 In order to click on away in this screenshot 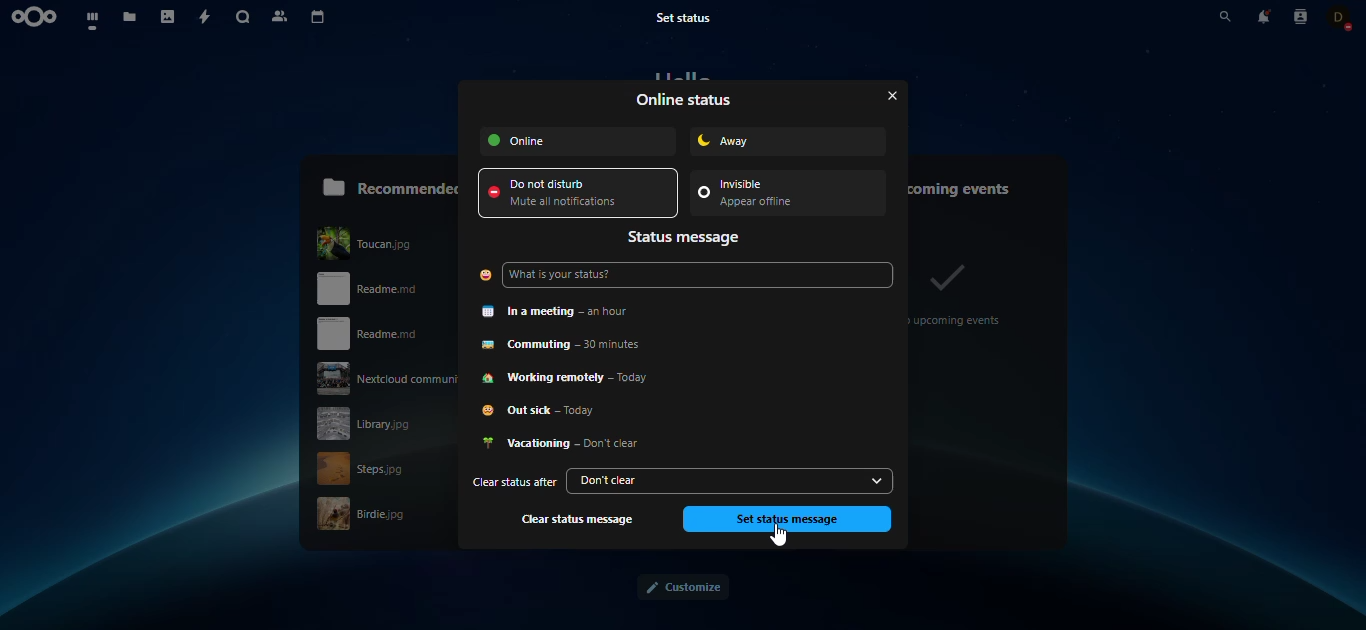, I will do `click(760, 140)`.